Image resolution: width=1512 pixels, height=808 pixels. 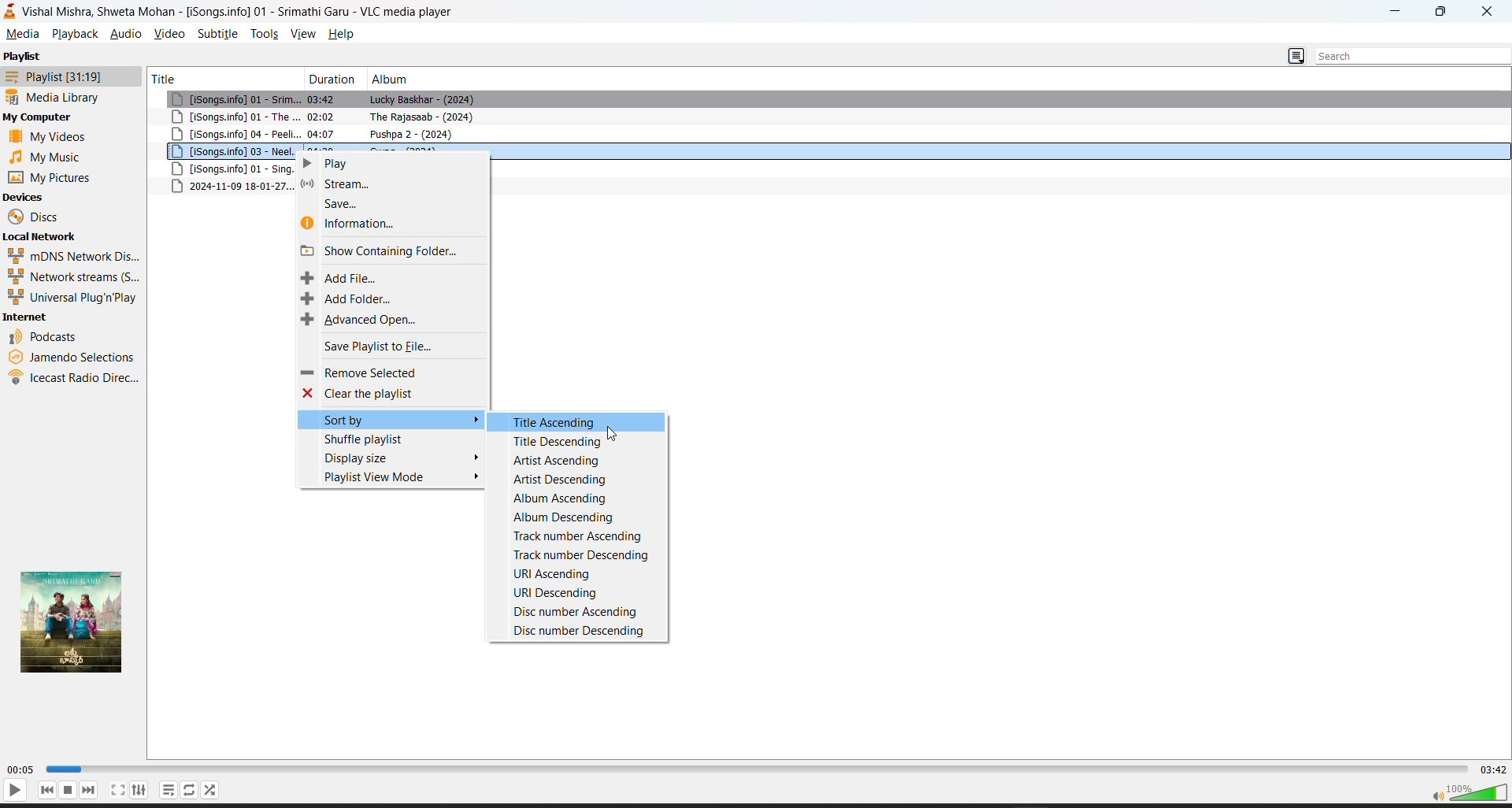 I want to click on current track time, so click(x=19, y=770).